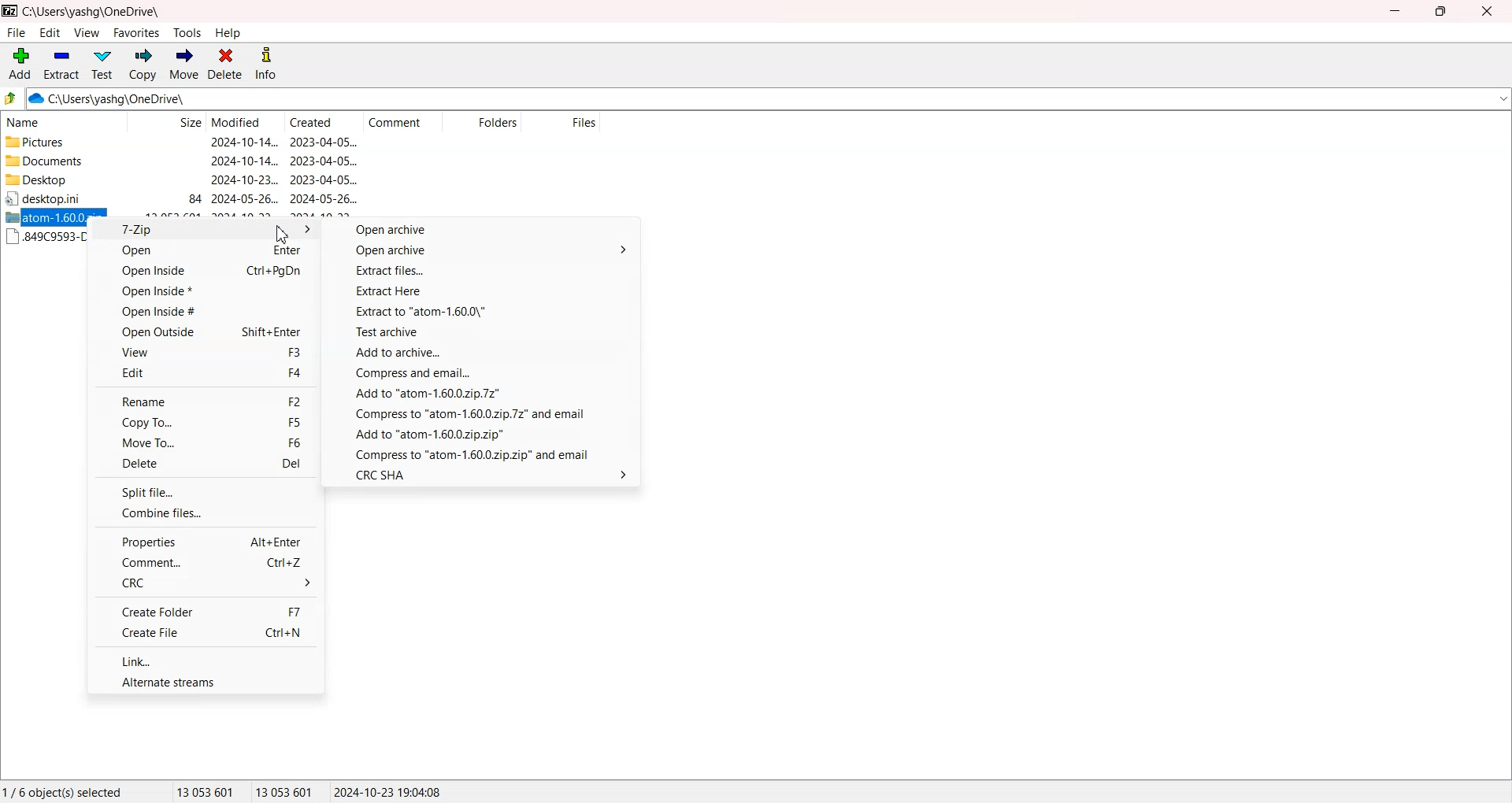 This screenshot has height=803, width=1512. What do you see at coordinates (204, 422) in the screenshot?
I see `Copy To` at bounding box center [204, 422].